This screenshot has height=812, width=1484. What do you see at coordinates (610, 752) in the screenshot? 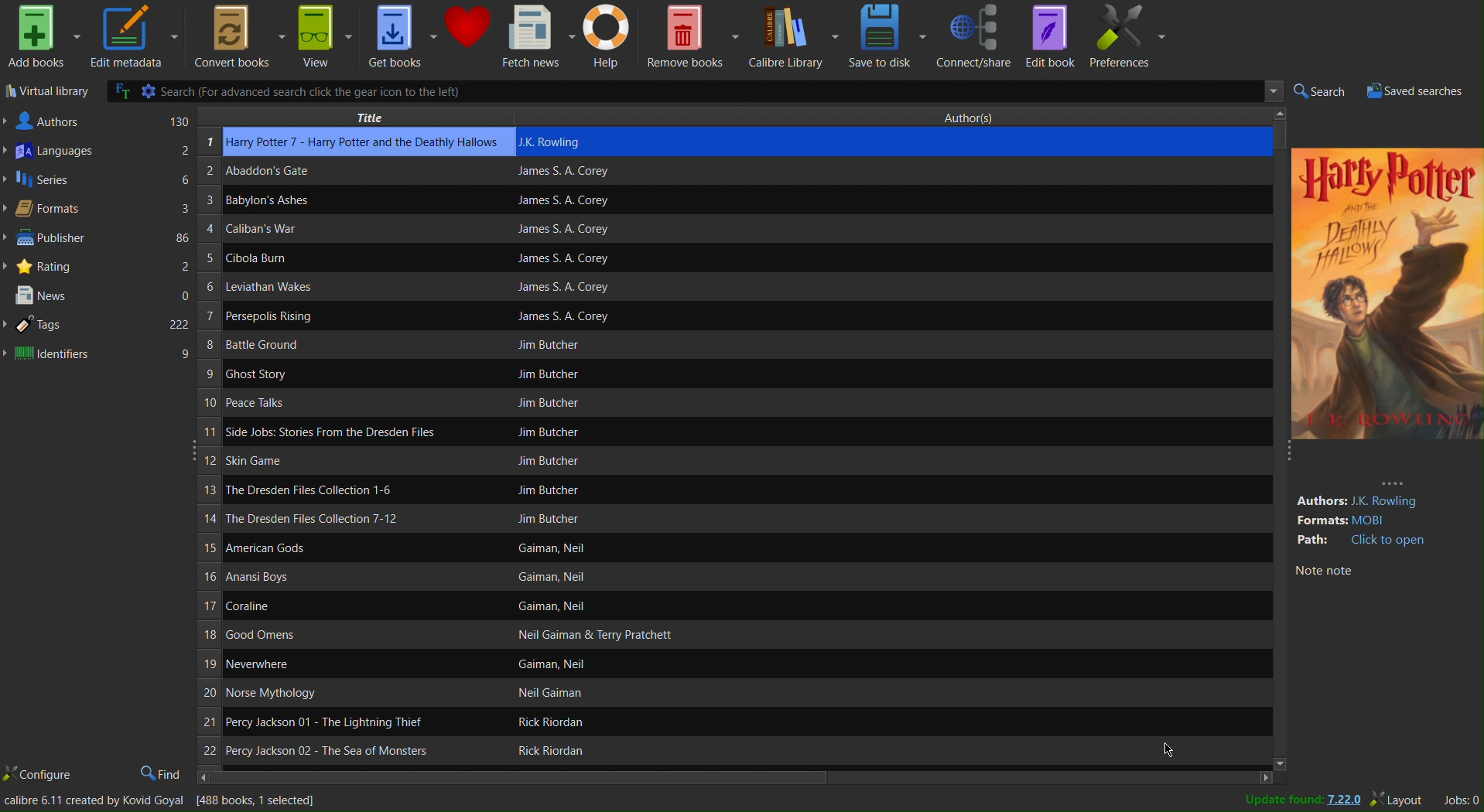
I see `Author’s name` at bounding box center [610, 752].